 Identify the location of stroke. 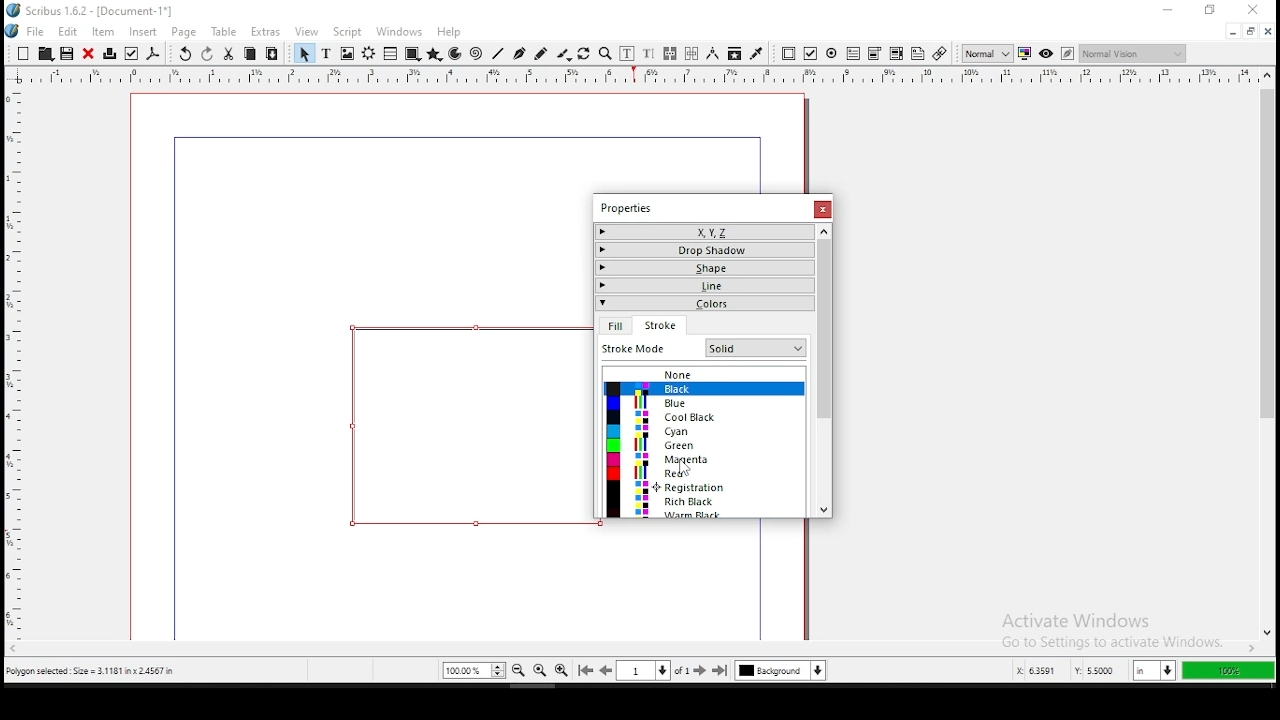
(661, 326).